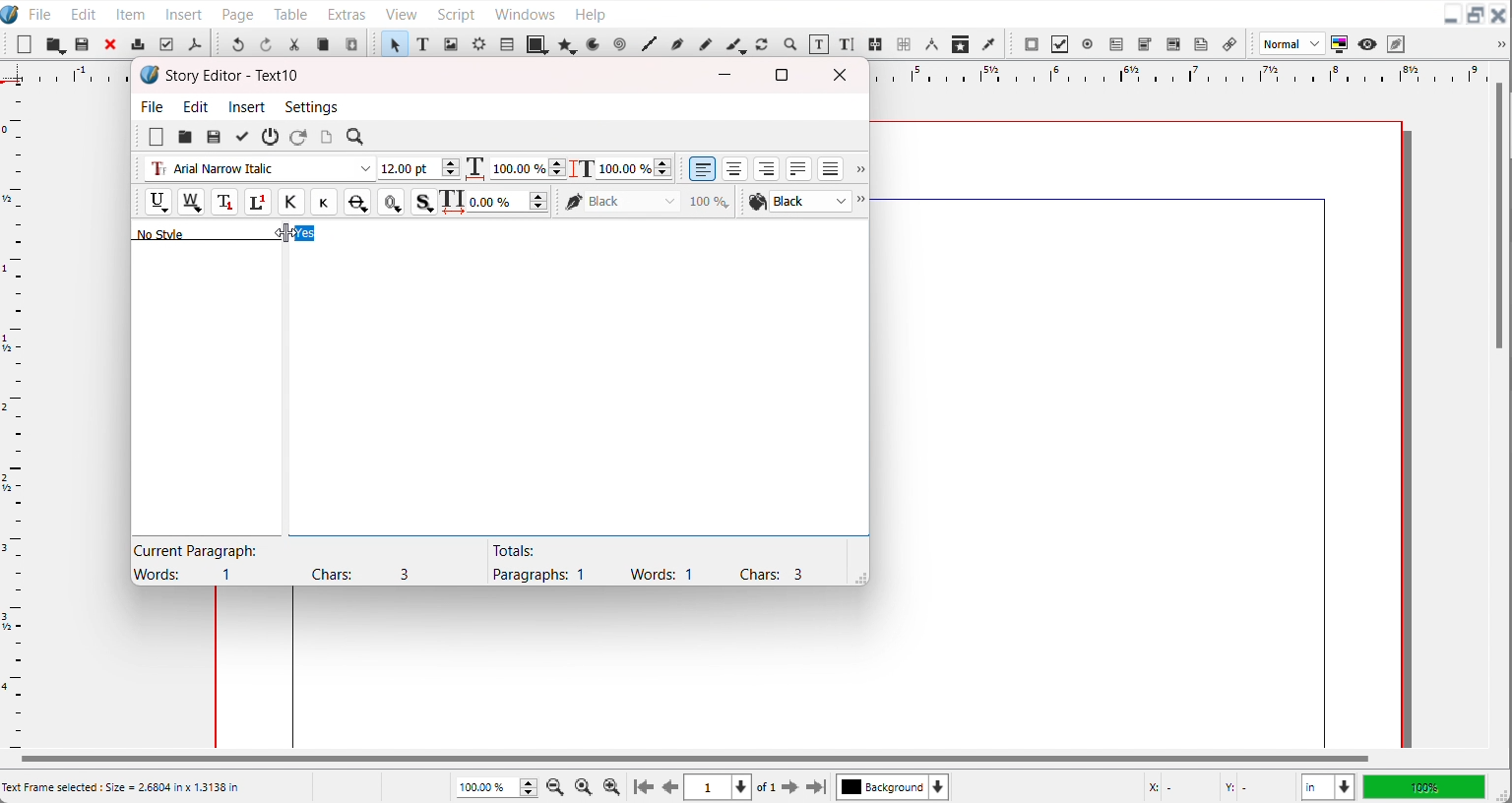 The width and height of the screenshot is (1512, 803). What do you see at coordinates (1144, 44) in the screenshot?
I see `PDF Combo button` at bounding box center [1144, 44].